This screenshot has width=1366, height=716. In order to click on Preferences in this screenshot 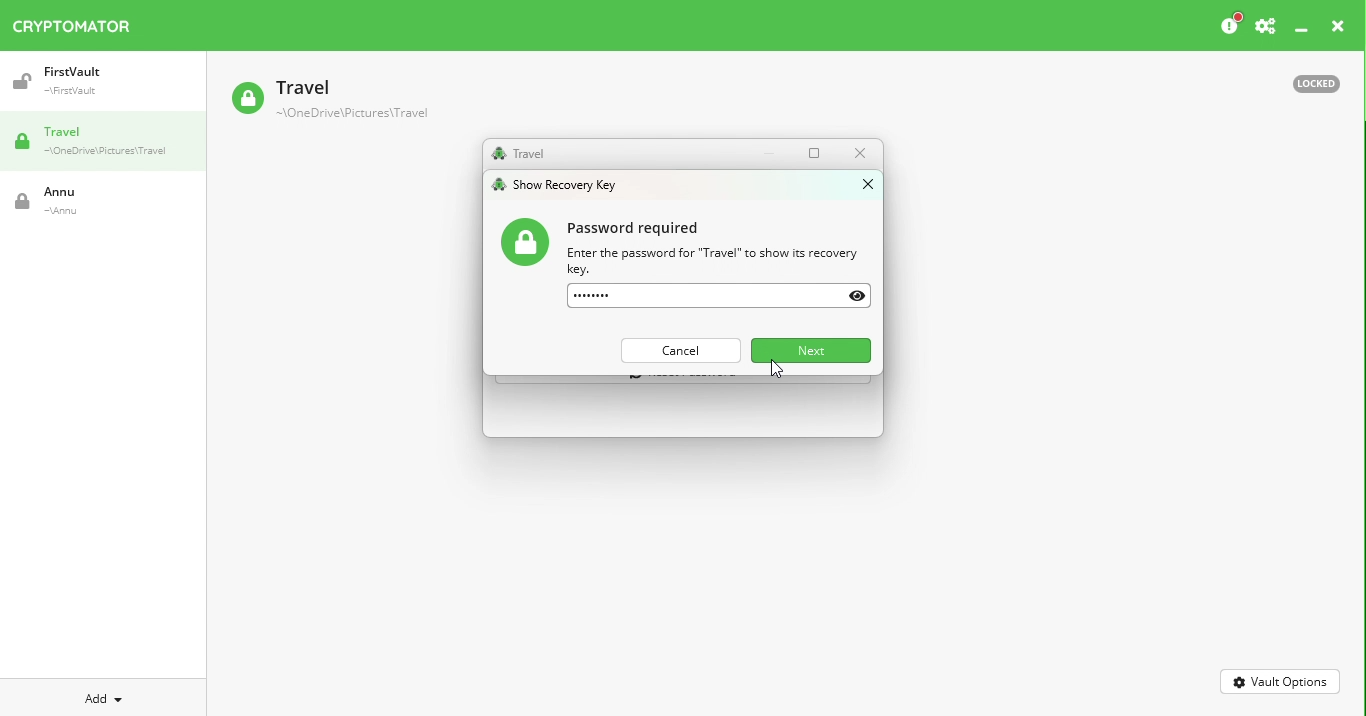, I will do `click(1265, 27)`.